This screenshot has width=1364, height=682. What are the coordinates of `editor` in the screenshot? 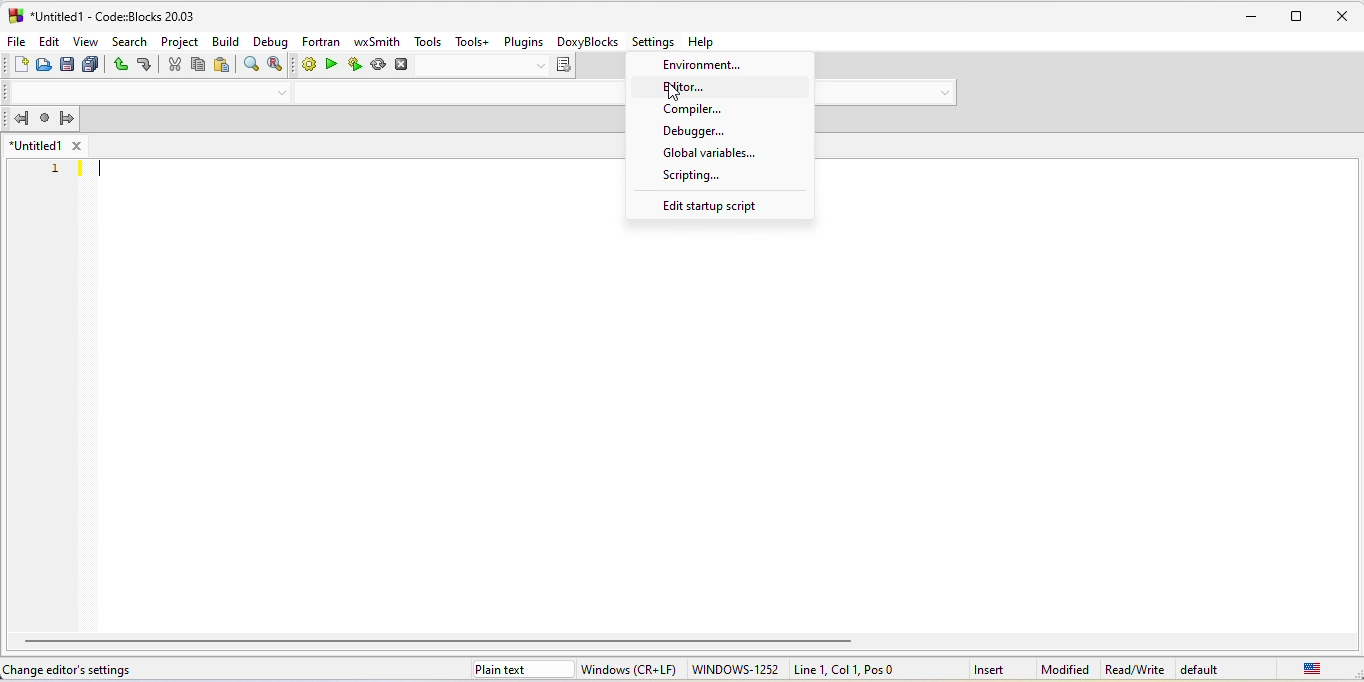 It's located at (684, 86).